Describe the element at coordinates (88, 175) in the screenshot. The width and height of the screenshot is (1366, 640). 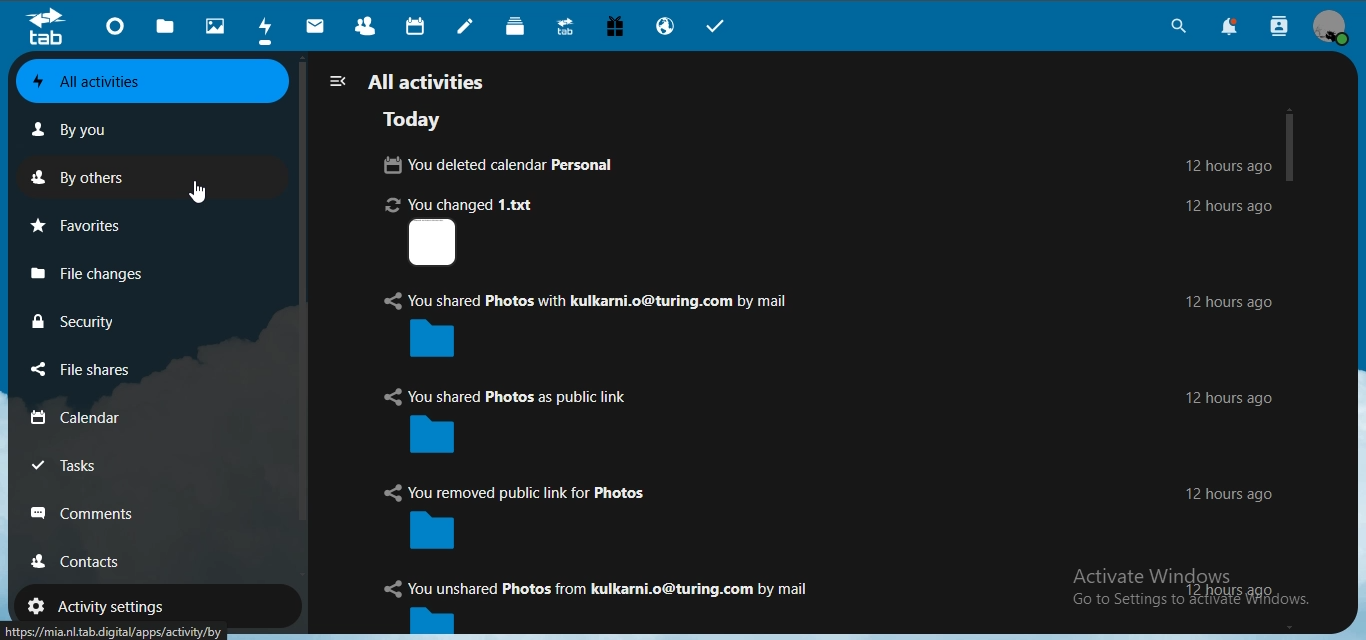
I see `by others` at that location.